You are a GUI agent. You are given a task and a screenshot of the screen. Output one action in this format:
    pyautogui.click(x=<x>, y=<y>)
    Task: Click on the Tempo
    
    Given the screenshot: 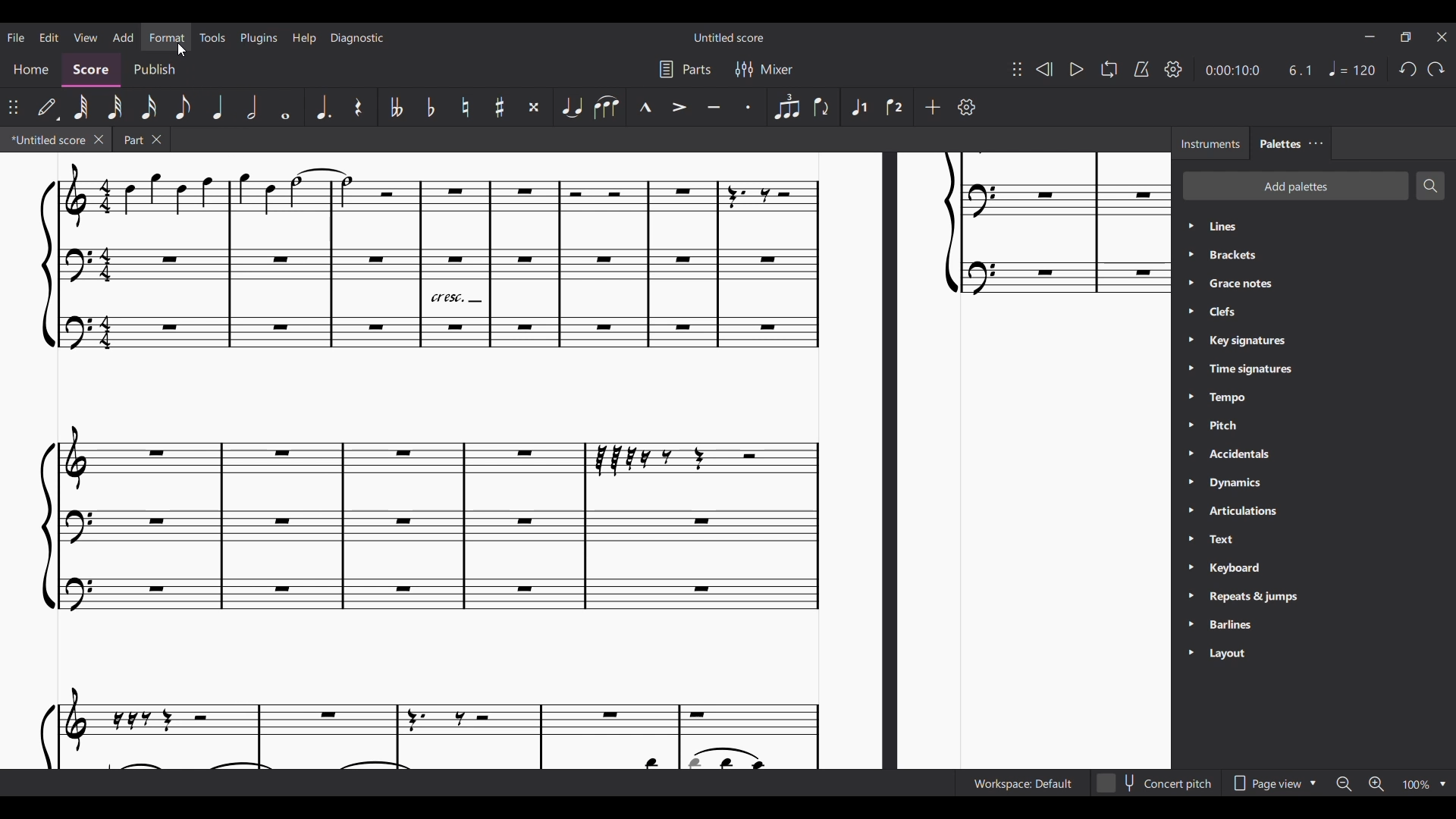 What is the action you would take?
    pyautogui.click(x=1352, y=68)
    